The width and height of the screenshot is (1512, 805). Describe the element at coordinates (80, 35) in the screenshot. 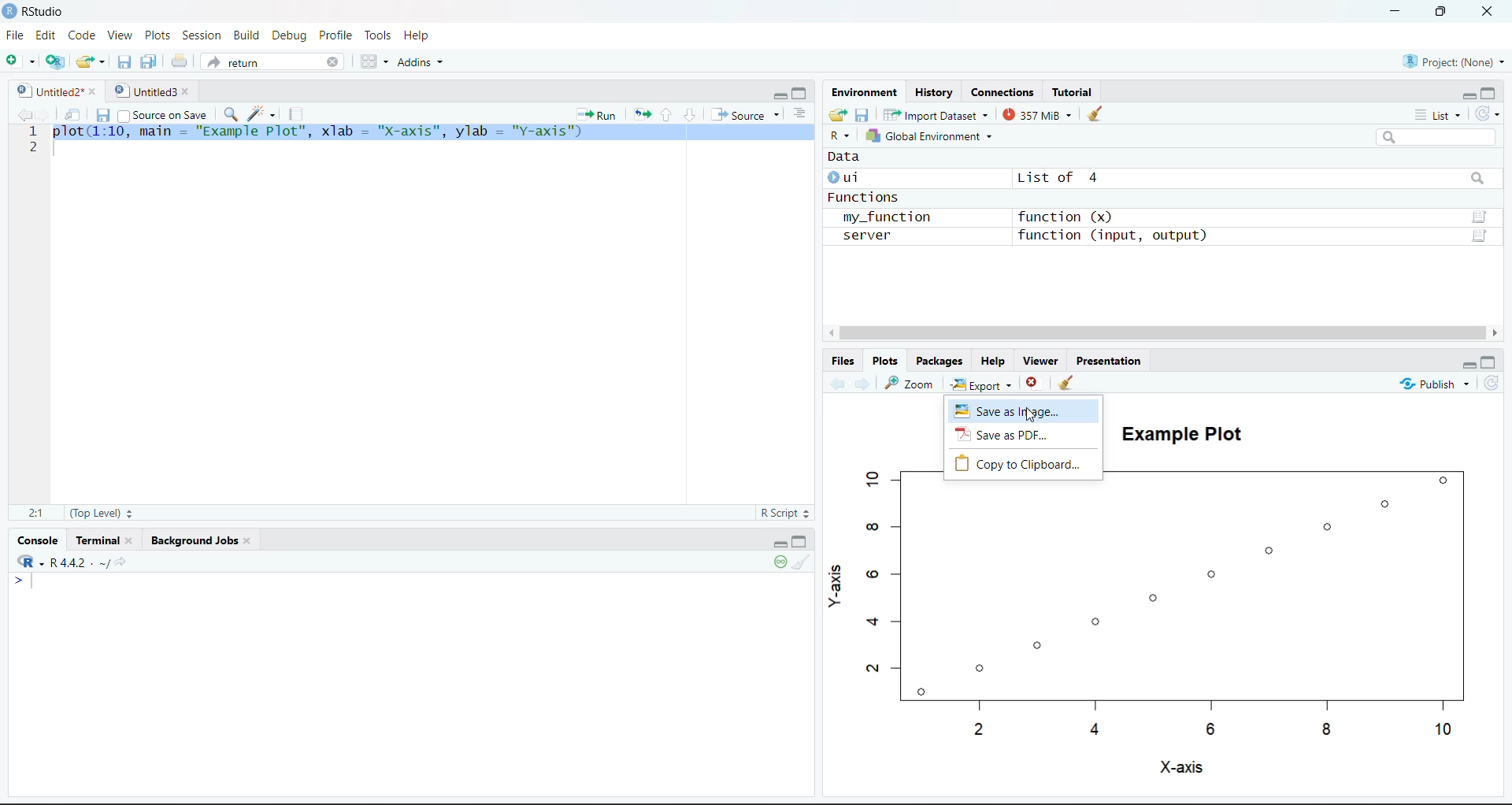

I see `Code` at that location.